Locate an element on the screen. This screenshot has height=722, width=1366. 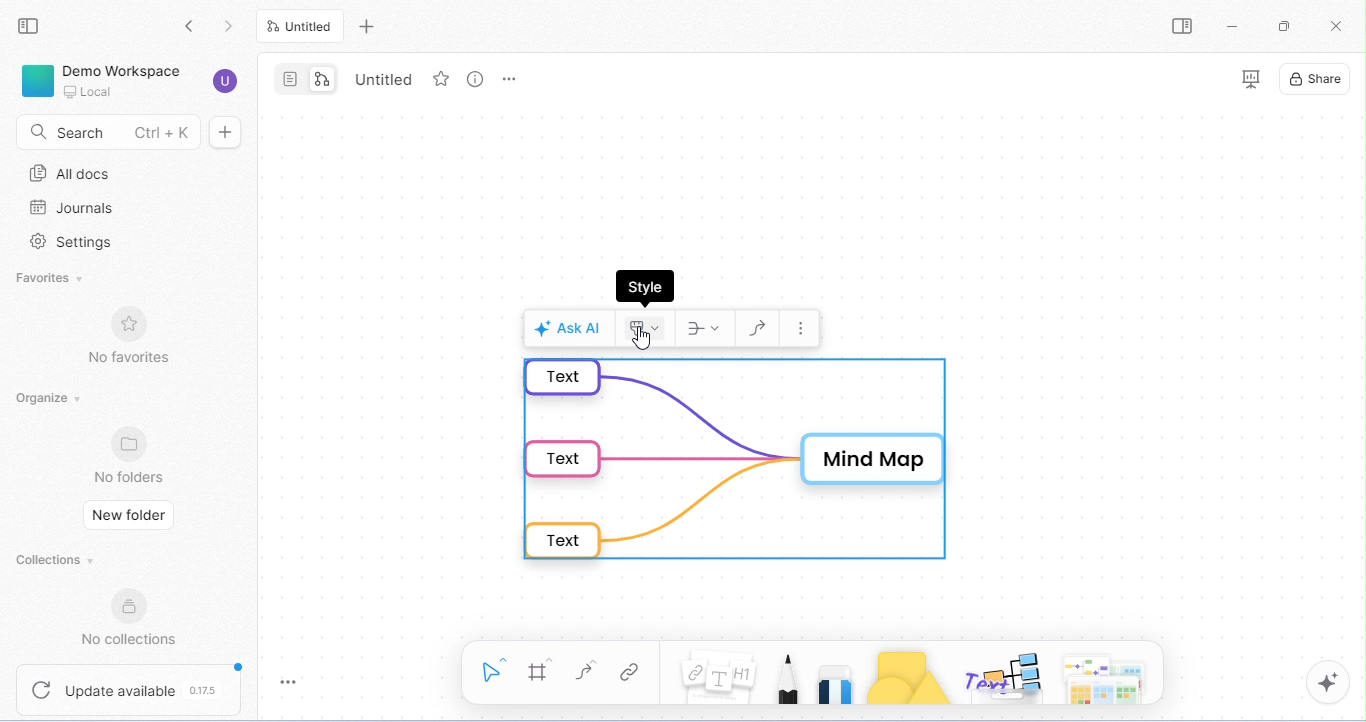
collections is located at coordinates (58, 556).